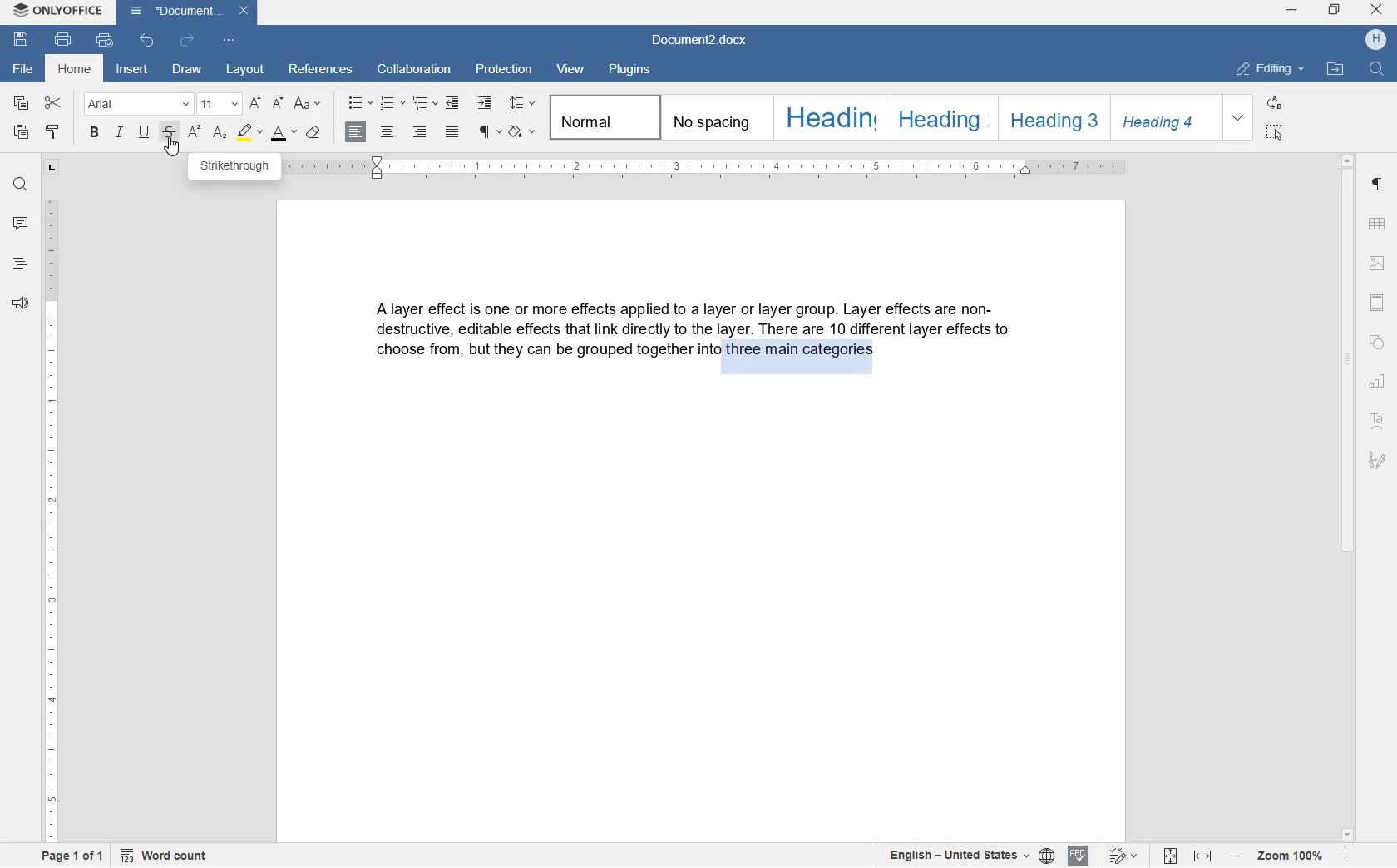  I want to click on customize quick access toolbar, so click(230, 43).